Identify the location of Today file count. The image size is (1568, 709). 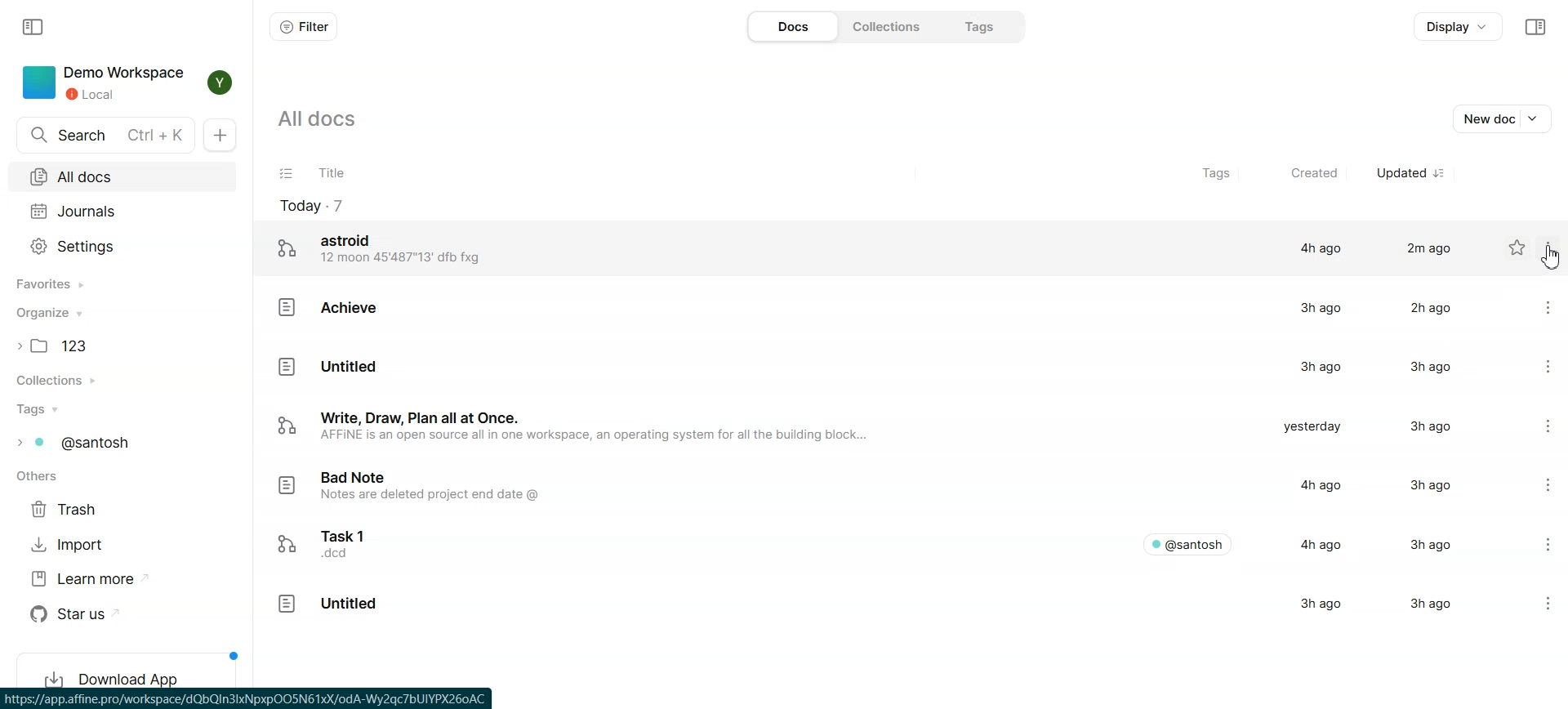
(312, 205).